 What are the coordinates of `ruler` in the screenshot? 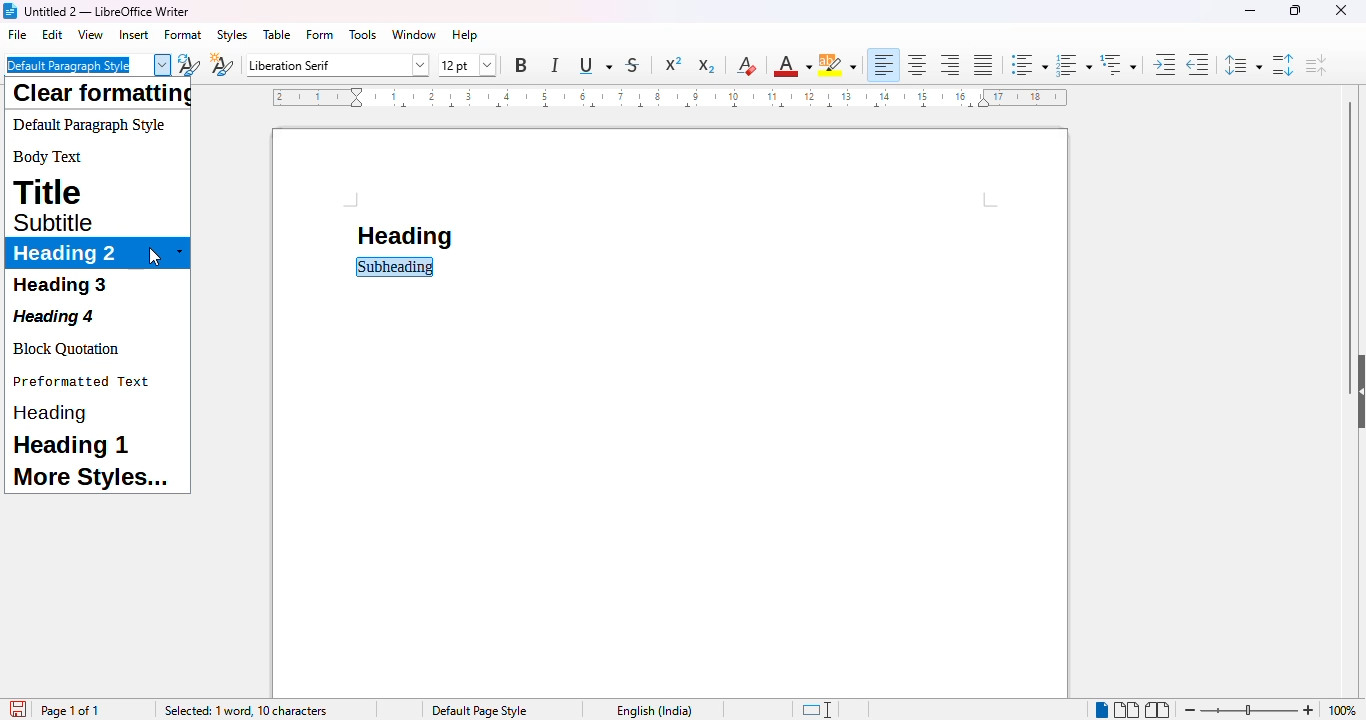 It's located at (670, 97).